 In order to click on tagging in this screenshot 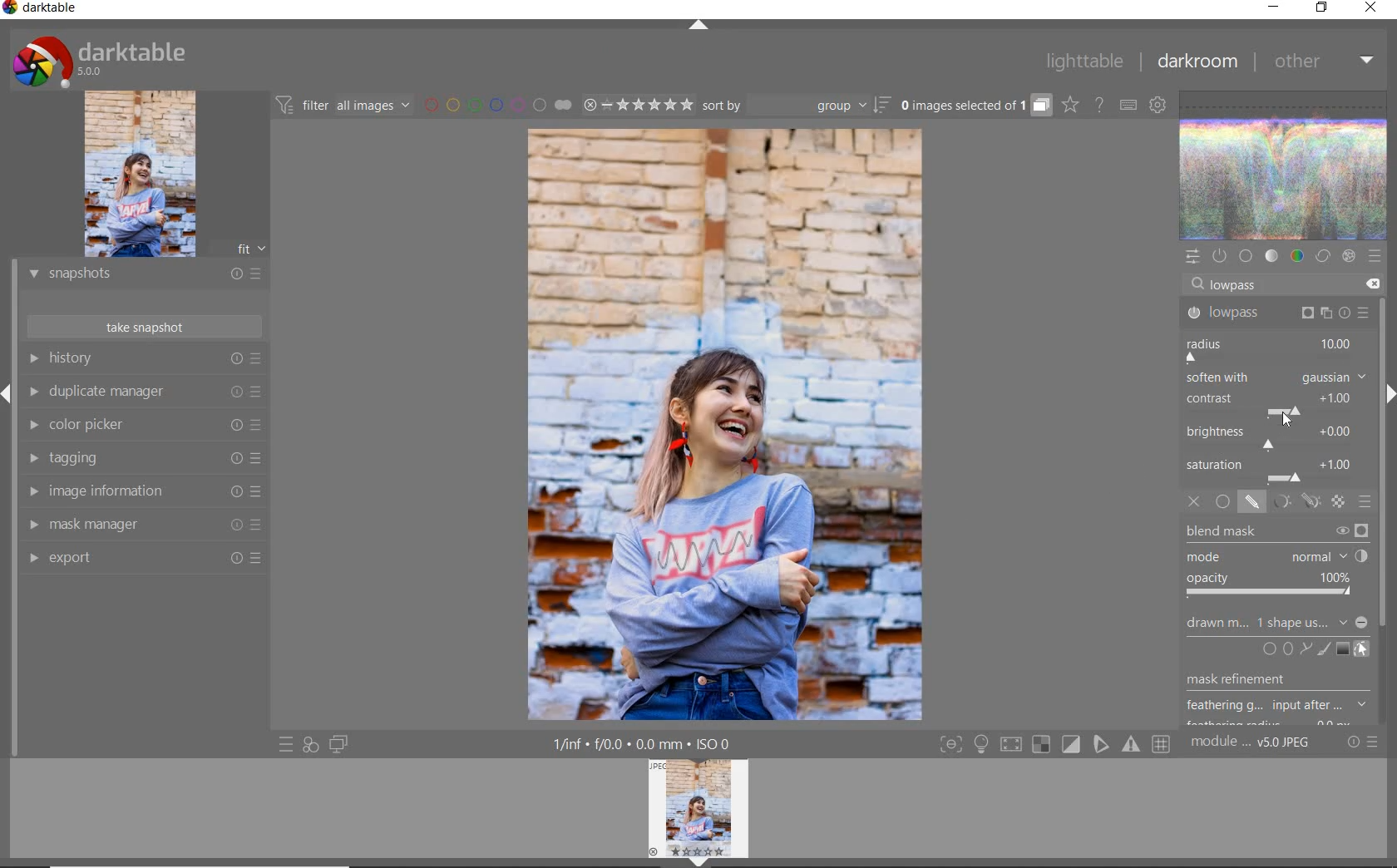, I will do `click(144, 460)`.